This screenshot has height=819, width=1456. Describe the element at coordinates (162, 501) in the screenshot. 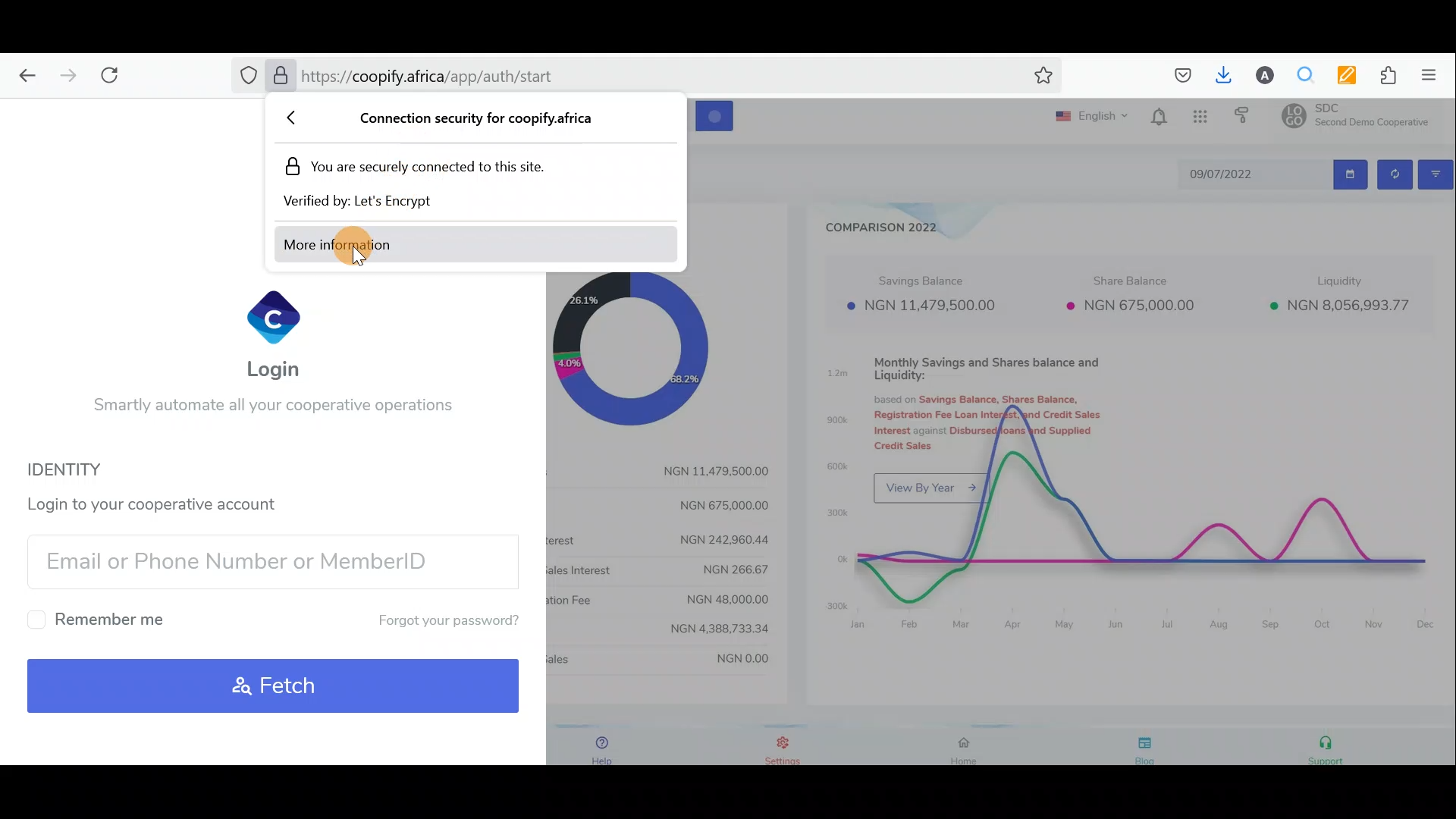

I see `Login to your cooperative account` at that location.